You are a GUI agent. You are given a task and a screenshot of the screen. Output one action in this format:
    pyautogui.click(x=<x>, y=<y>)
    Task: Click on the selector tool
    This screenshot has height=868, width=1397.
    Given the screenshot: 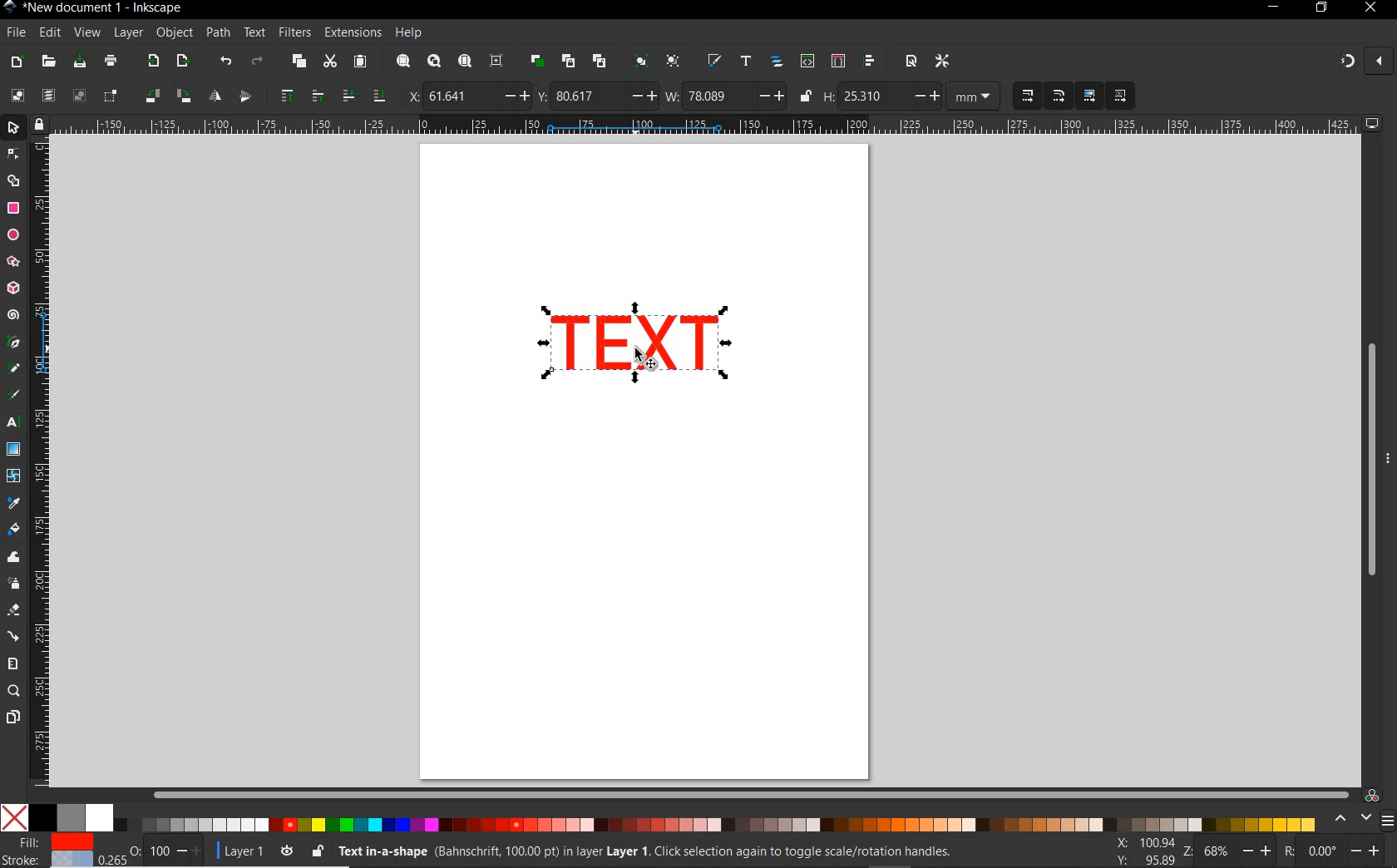 What is the action you would take?
    pyautogui.click(x=15, y=130)
    